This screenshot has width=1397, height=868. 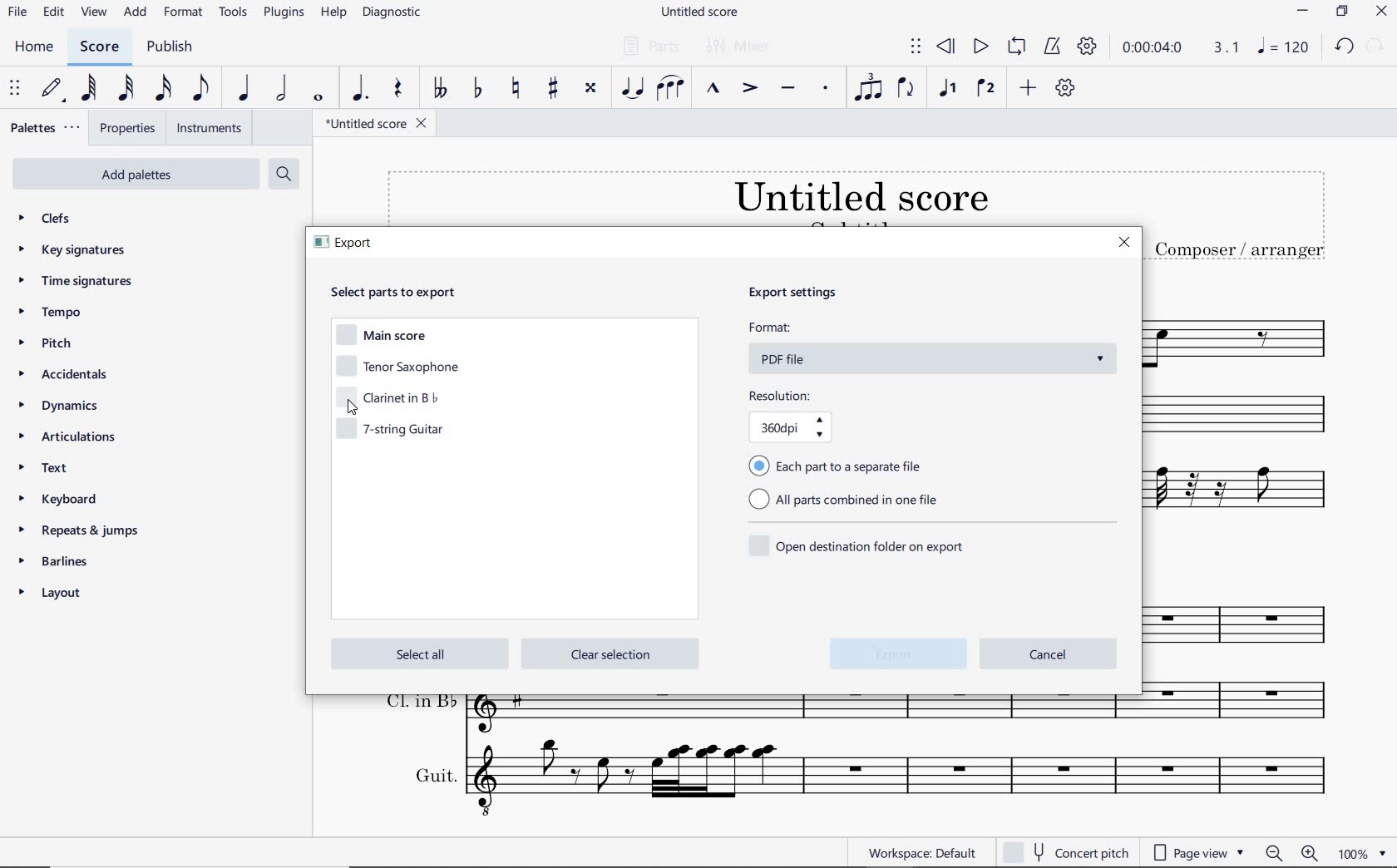 What do you see at coordinates (72, 250) in the screenshot?
I see `key signatures` at bounding box center [72, 250].